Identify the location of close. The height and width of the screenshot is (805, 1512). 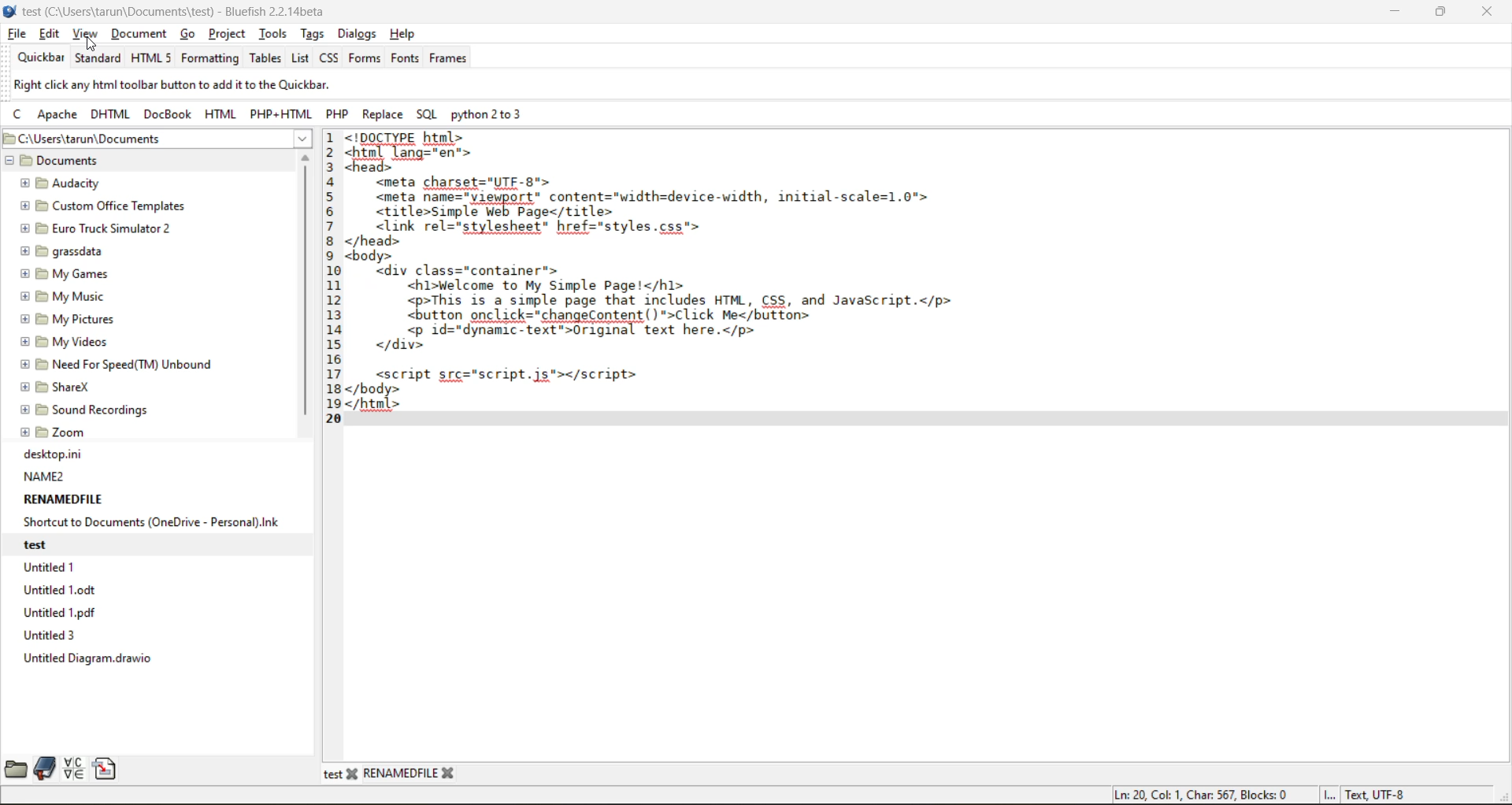
(1482, 14).